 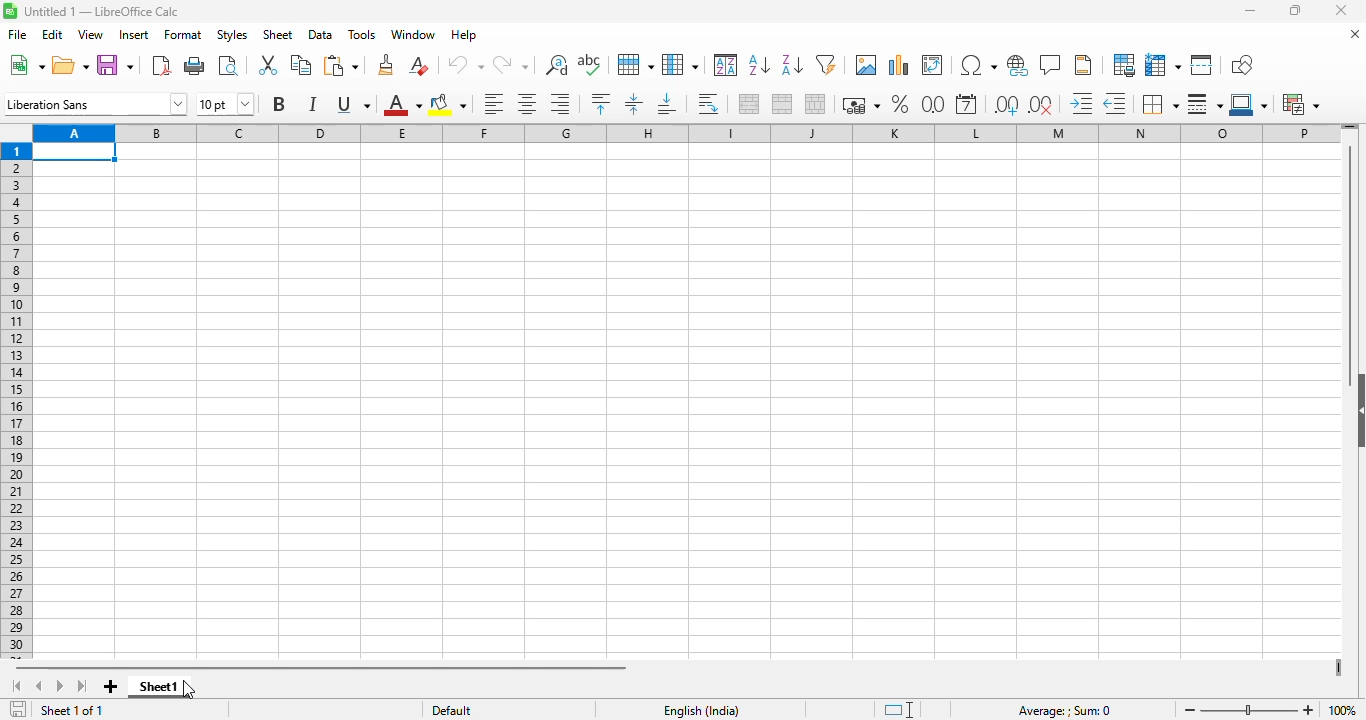 I want to click on format as date, so click(x=968, y=104).